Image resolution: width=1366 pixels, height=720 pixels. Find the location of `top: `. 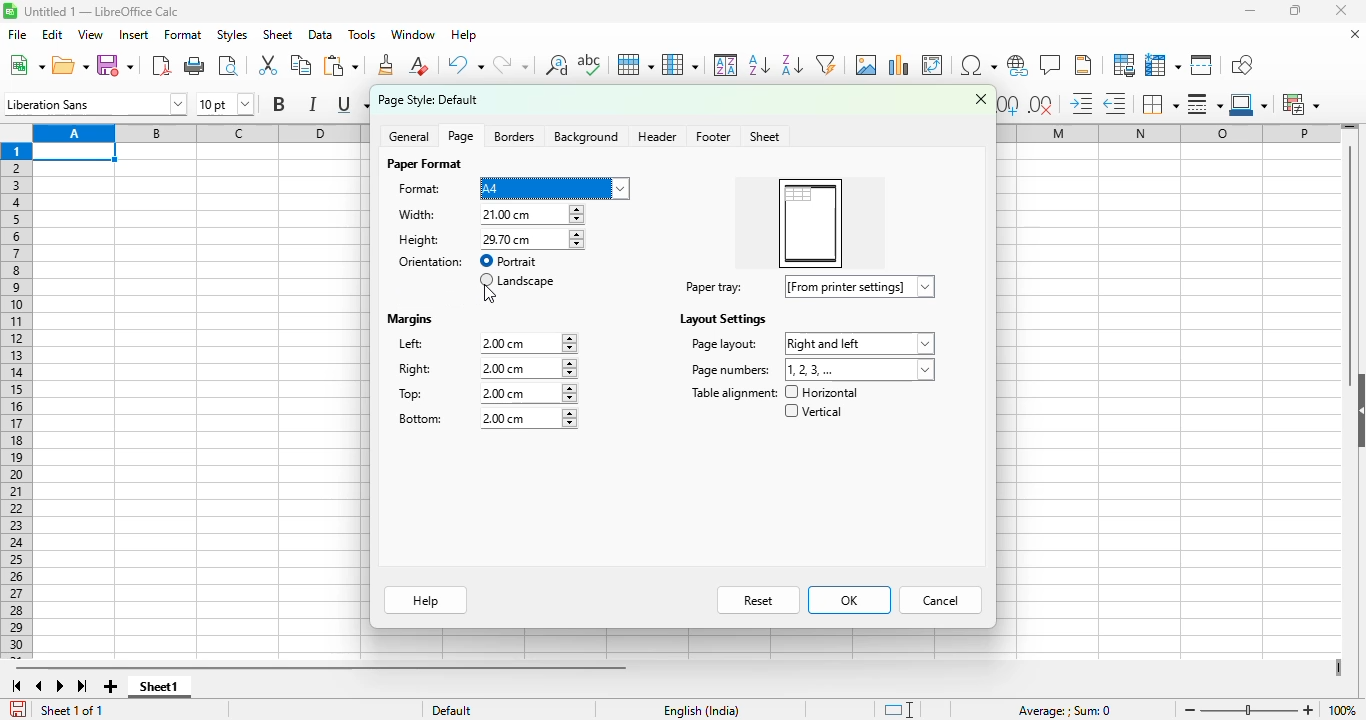

top:  is located at coordinates (412, 394).